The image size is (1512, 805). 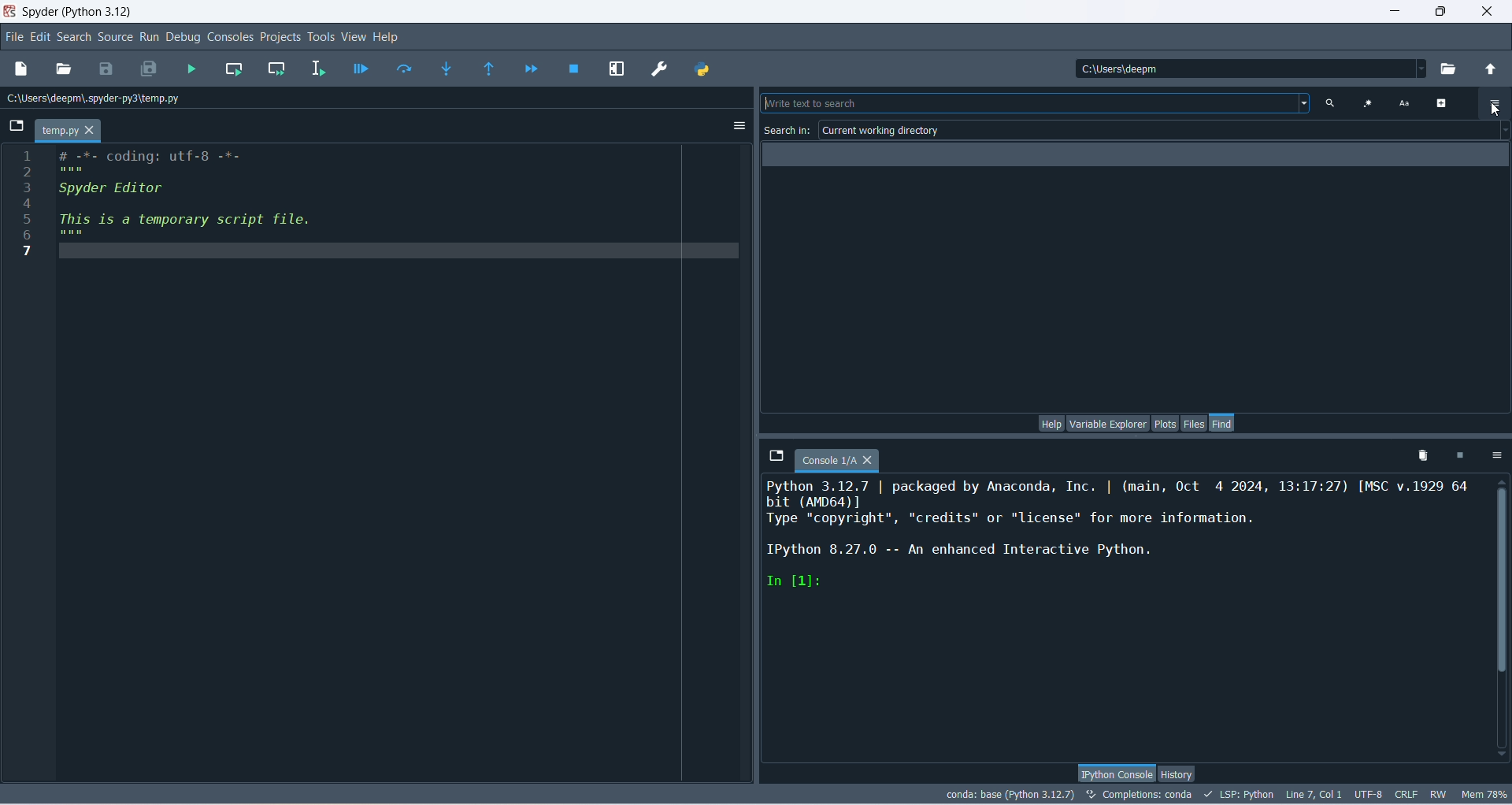 I want to click on close, so click(x=1490, y=9).